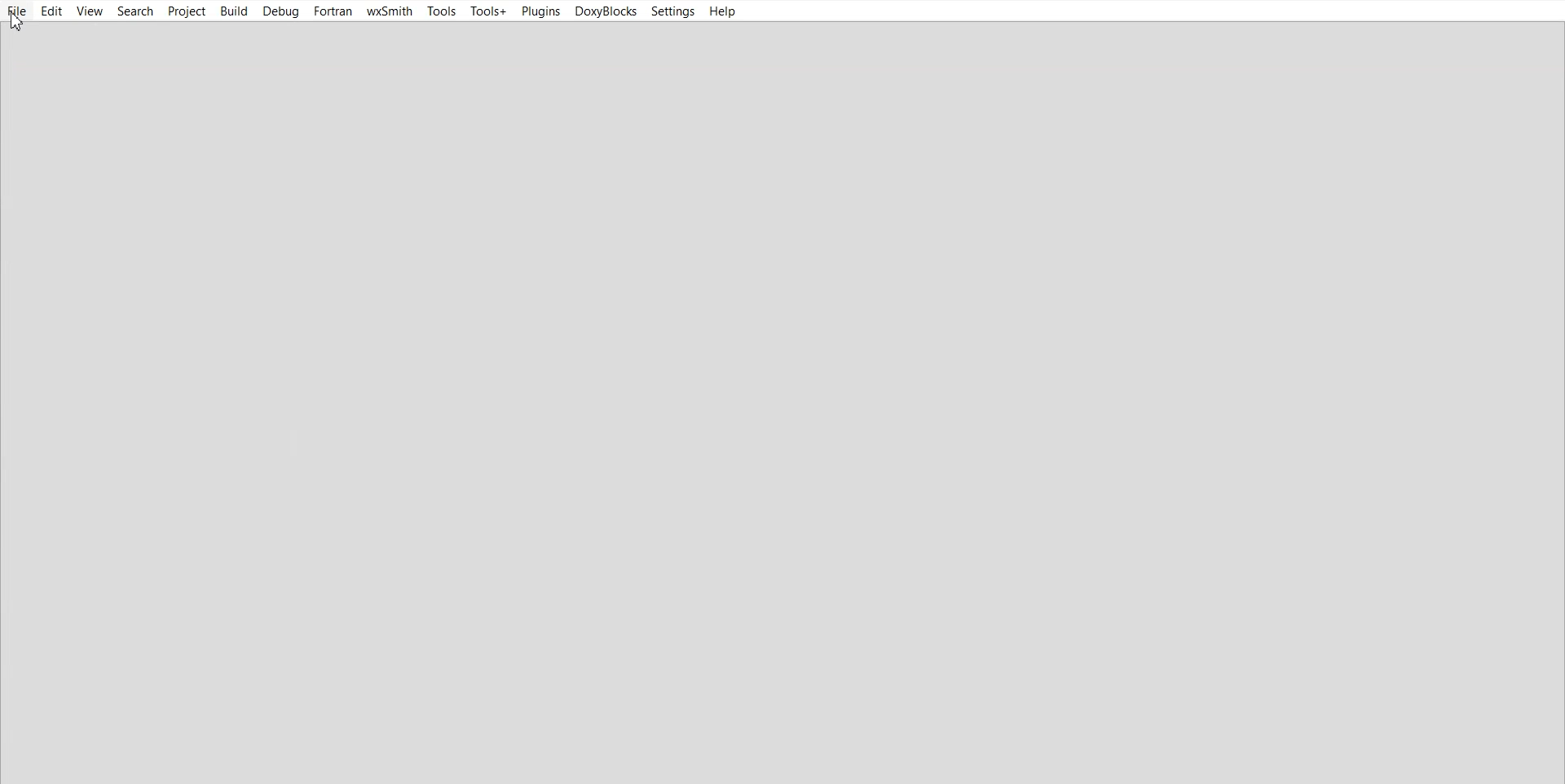  What do you see at coordinates (18, 11) in the screenshot?
I see `File` at bounding box center [18, 11].